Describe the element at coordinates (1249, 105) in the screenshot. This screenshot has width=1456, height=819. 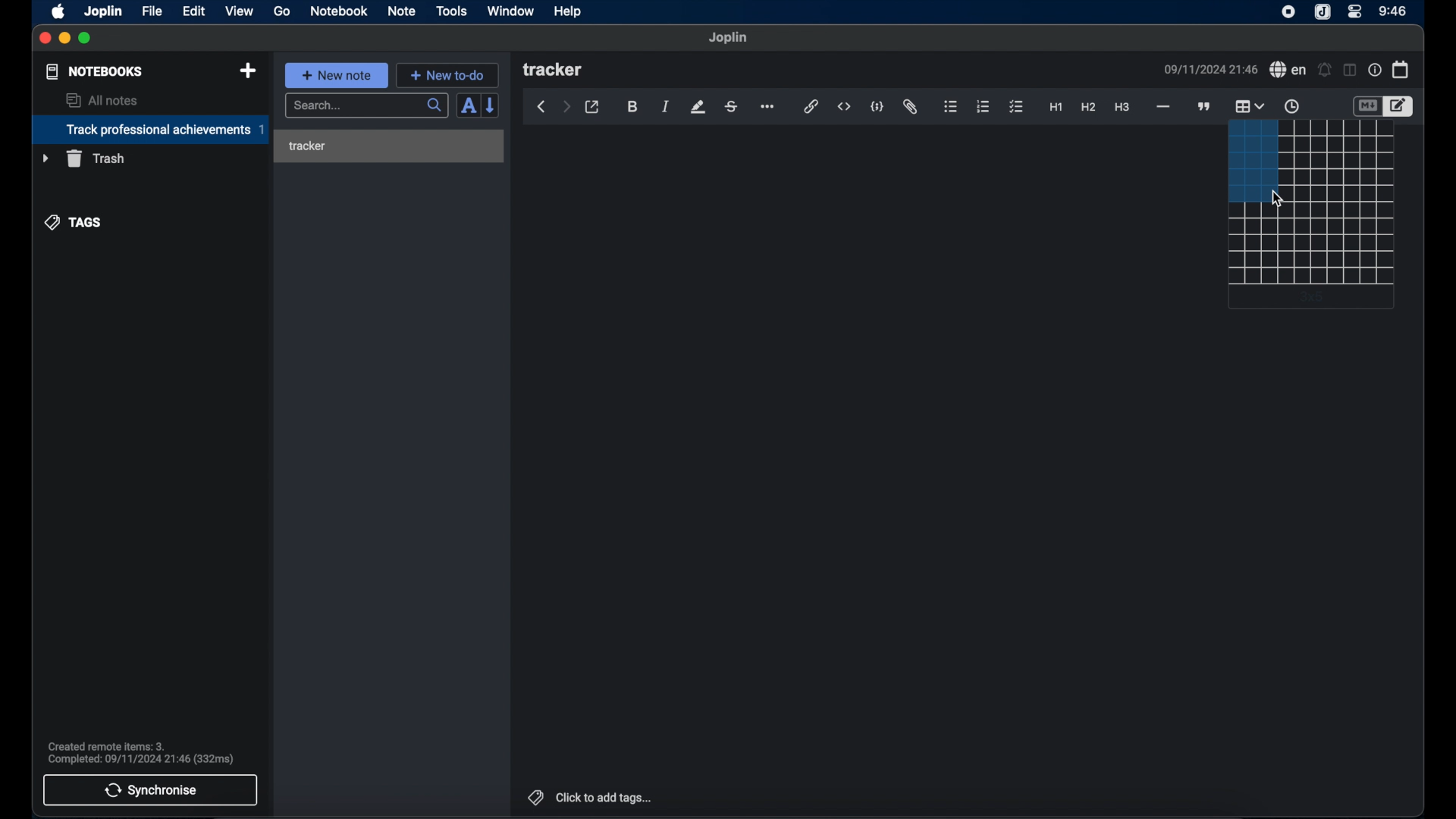
I see `table` at that location.